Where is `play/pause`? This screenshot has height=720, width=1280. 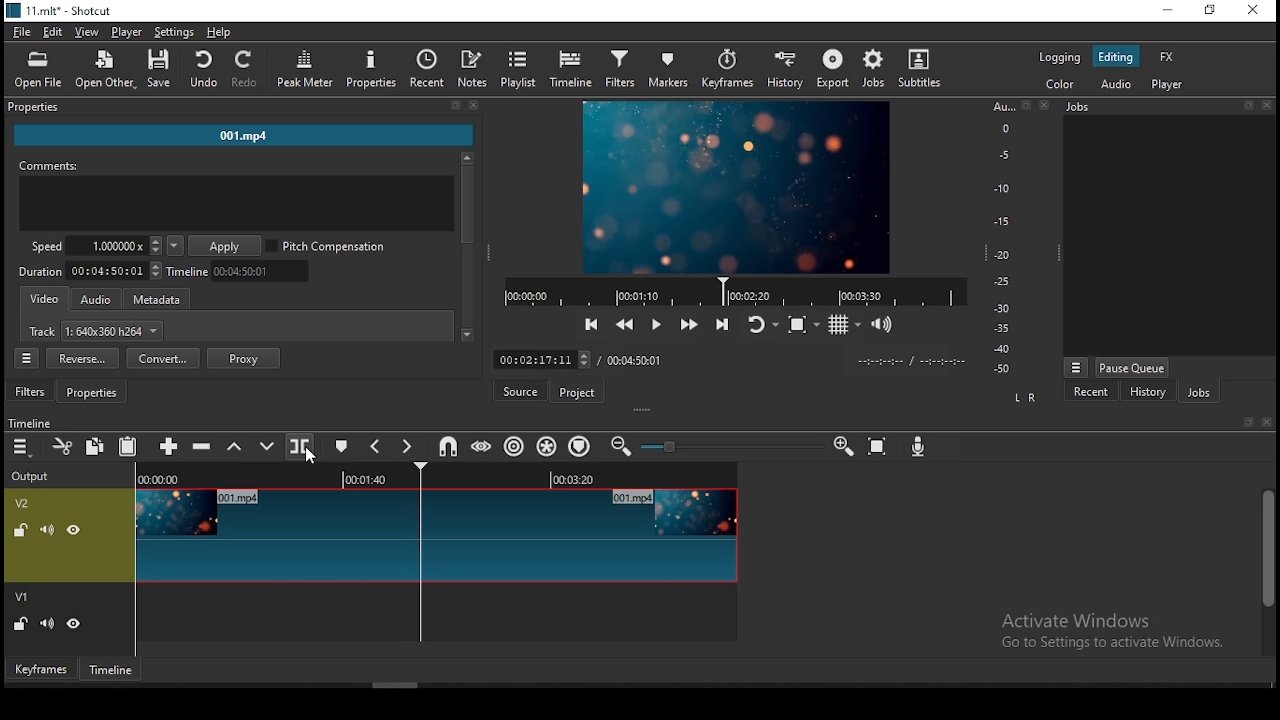
play/pause is located at coordinates (659, 322).